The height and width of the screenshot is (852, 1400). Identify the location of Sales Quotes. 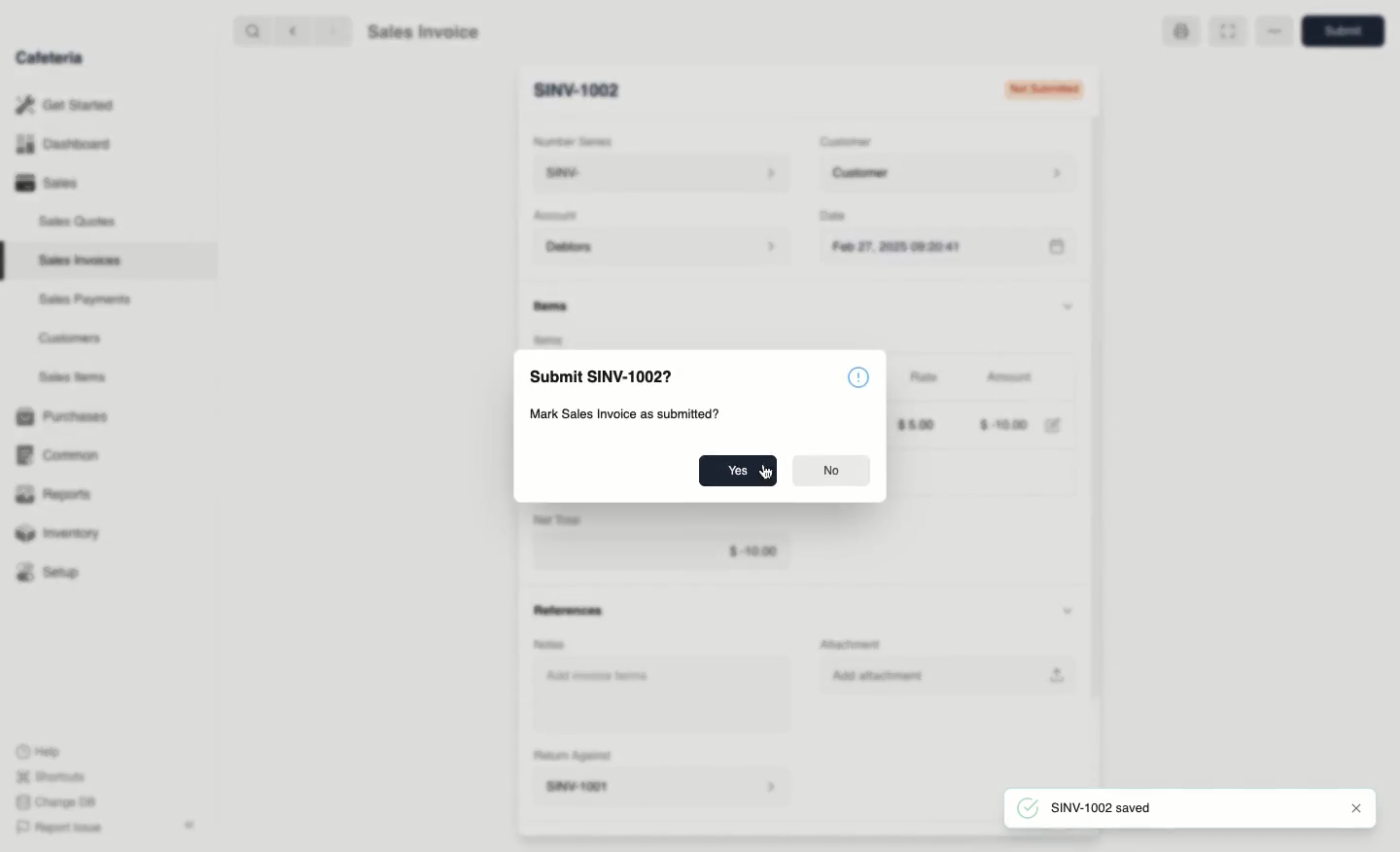
(78, 224).